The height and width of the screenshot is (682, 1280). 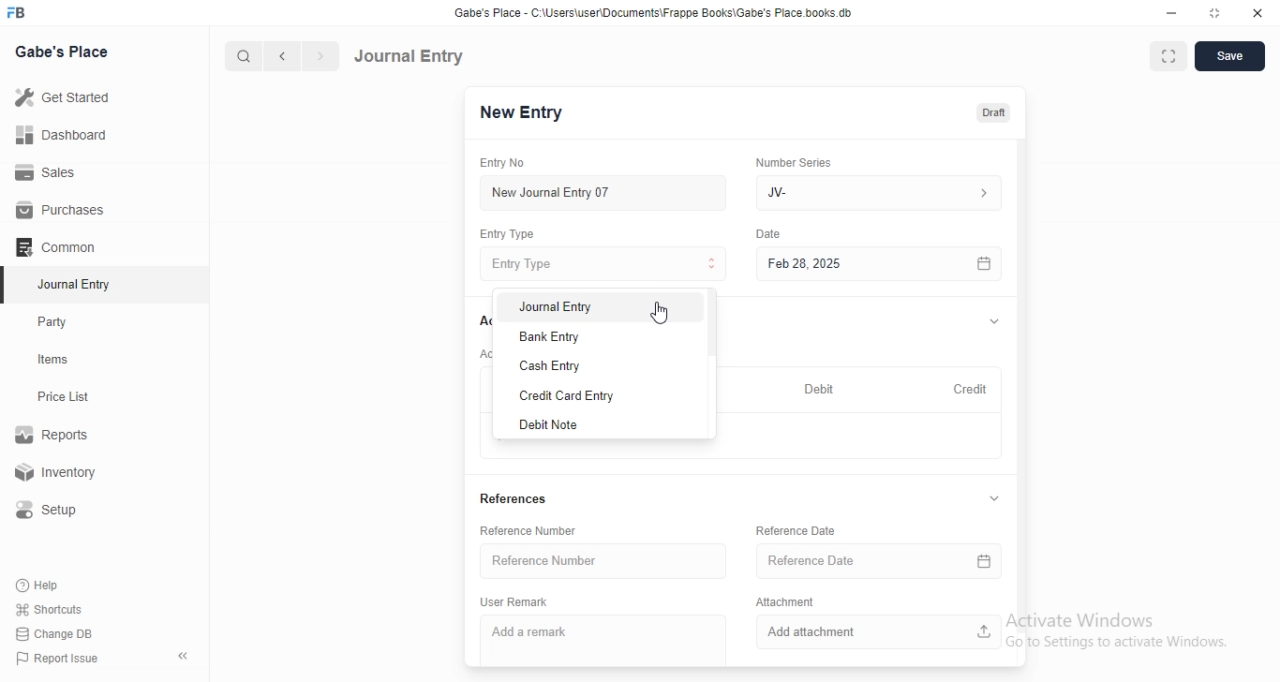 What do you see at coordinates (49, 608) in the screenshot?
I see `Shortcuts` at bounding box center [49, 608].